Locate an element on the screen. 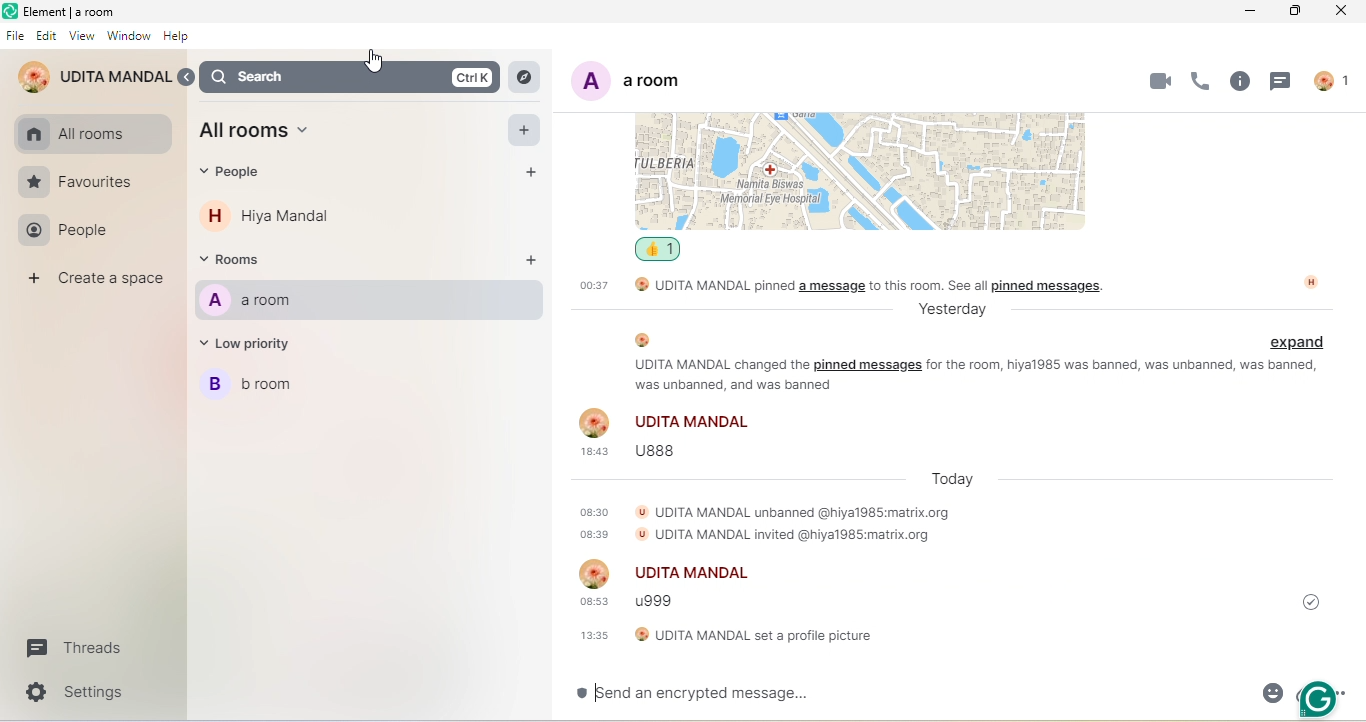 The height and width of the screenshot is (722, 1366). 00:37  UDITA MANDAL pinned is located at coordinates (685, 287).